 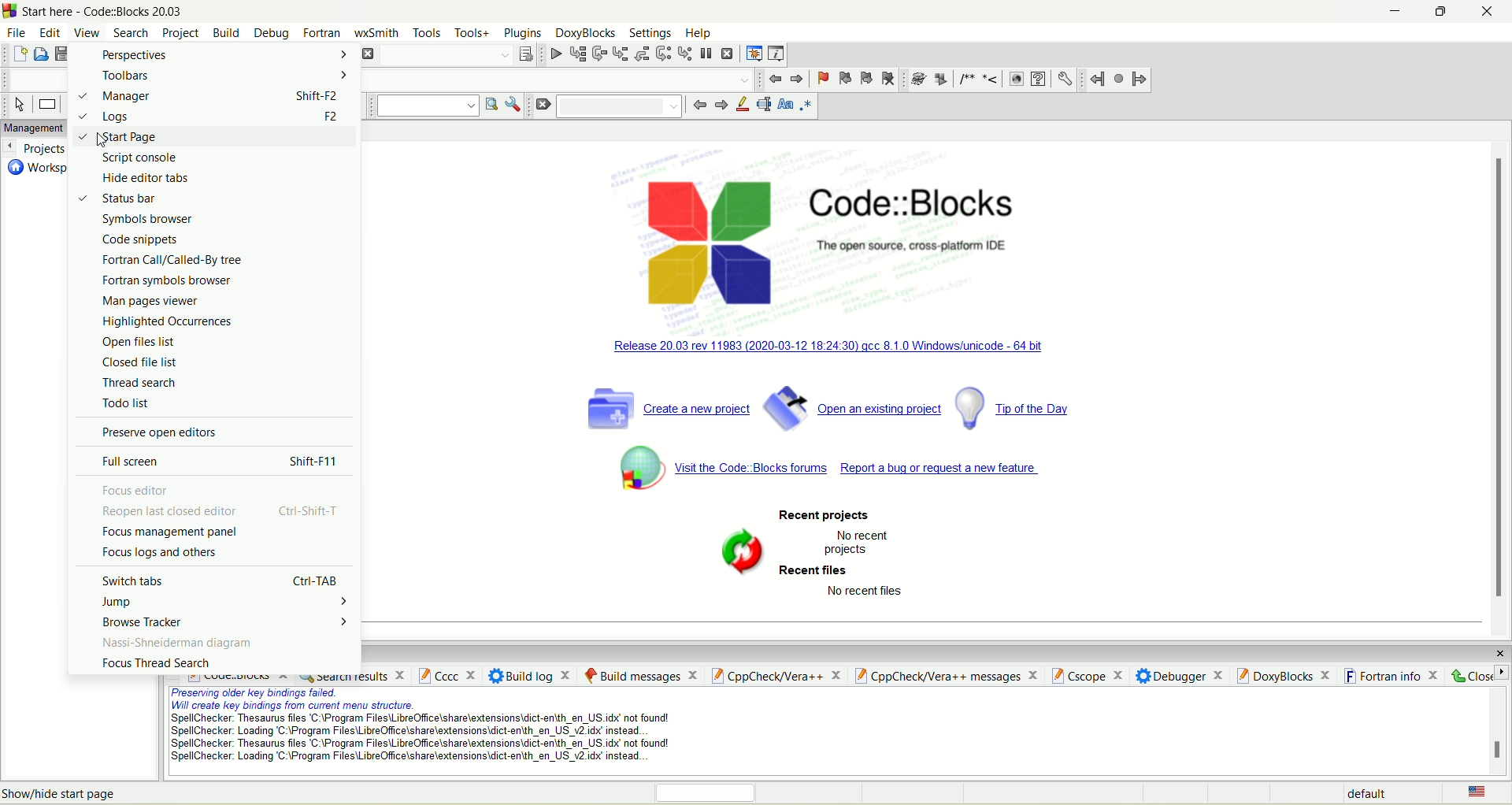 I want to click on Release 20.03 rev 11983 (2020-03-12 18:24:30) gcc 8.1.0 Windows/unicode - 64 bit, so click(x=833, y=343).